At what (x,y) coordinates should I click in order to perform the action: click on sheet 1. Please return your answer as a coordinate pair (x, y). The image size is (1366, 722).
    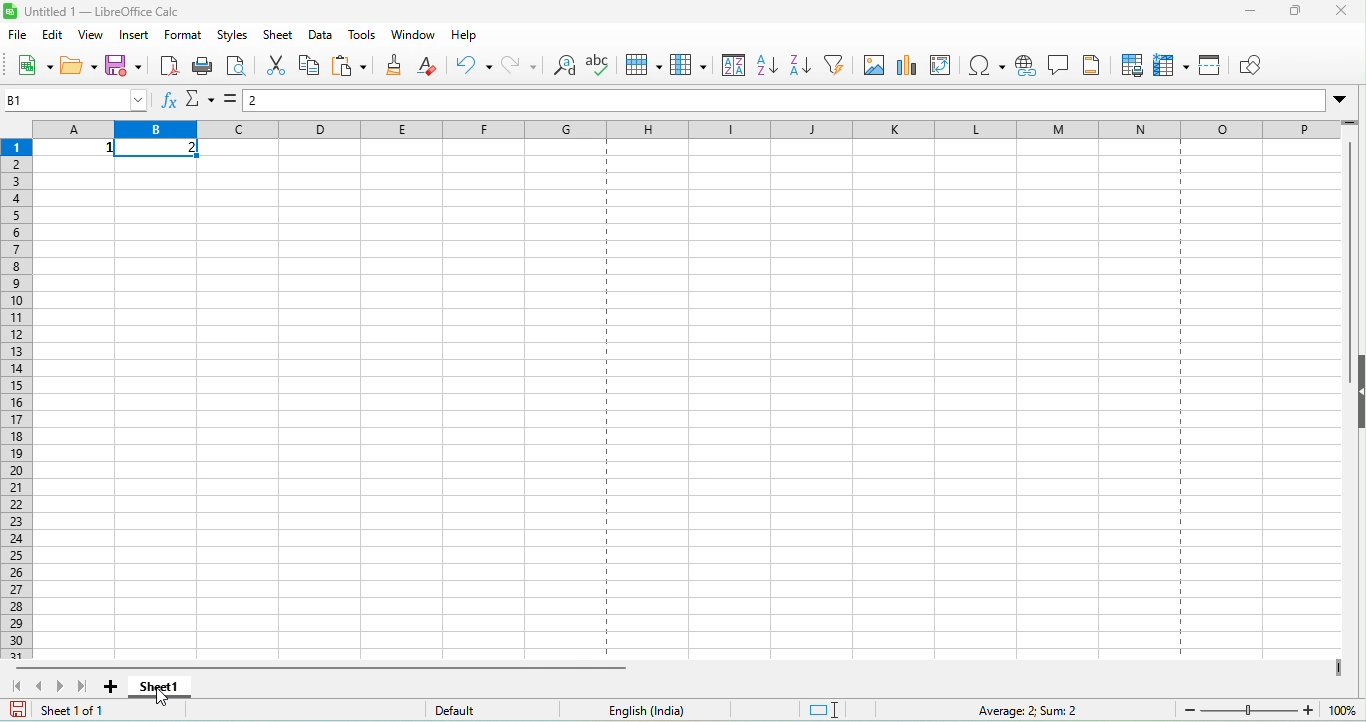
    Looking at the image, I should click on (165, 683).